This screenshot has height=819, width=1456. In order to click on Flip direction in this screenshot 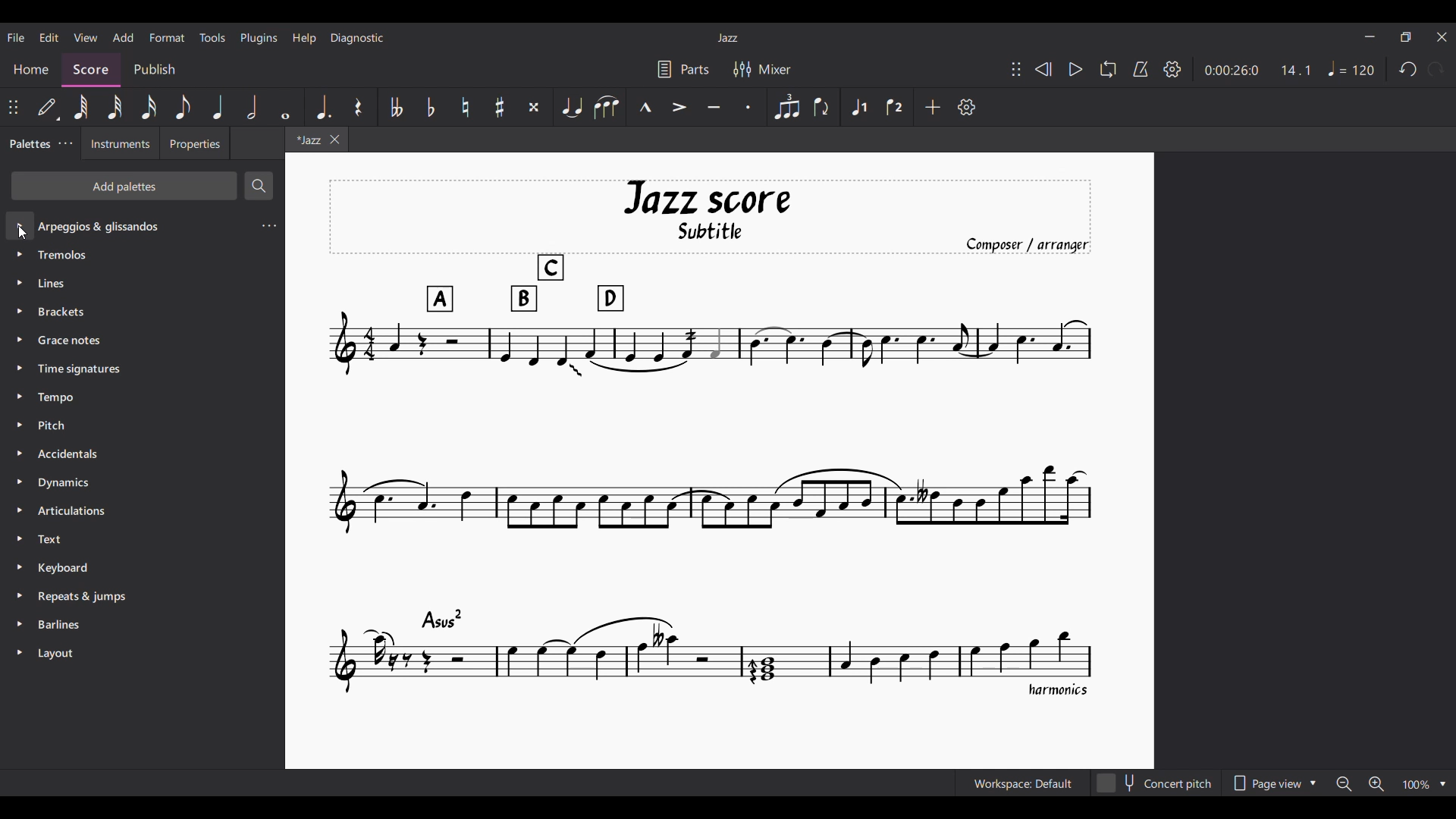, I will do `click(823, 107)`.